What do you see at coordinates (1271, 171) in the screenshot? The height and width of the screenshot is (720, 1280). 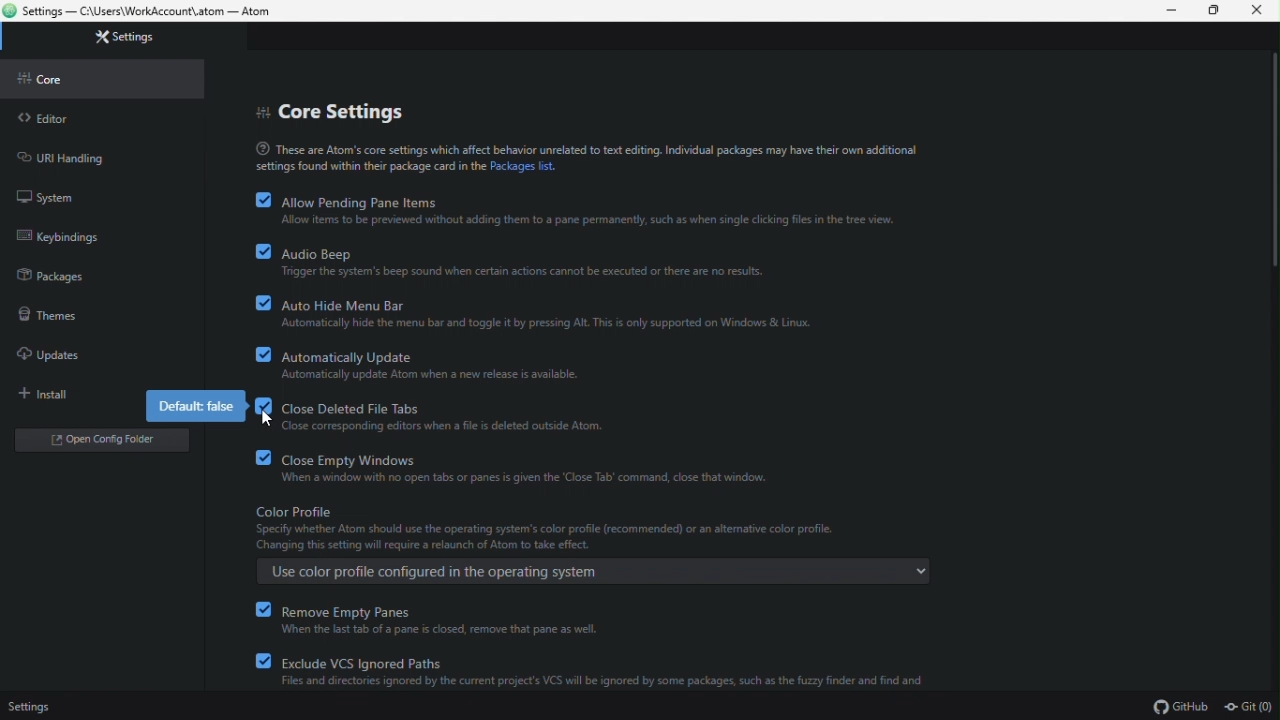 I see `scroll bar` at bounding box center [1271, 171].